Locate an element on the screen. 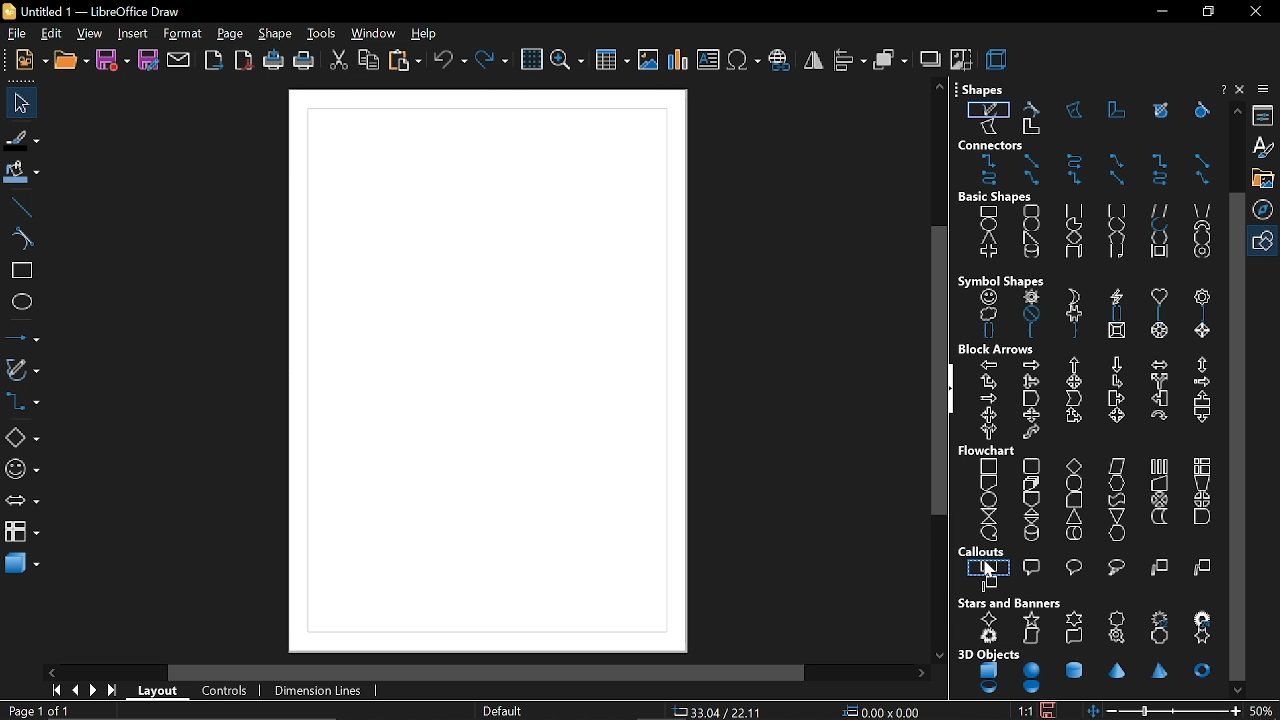 This screenshot has height=720, width=1280. right arrow callout is located at coordinates (1115, 399).